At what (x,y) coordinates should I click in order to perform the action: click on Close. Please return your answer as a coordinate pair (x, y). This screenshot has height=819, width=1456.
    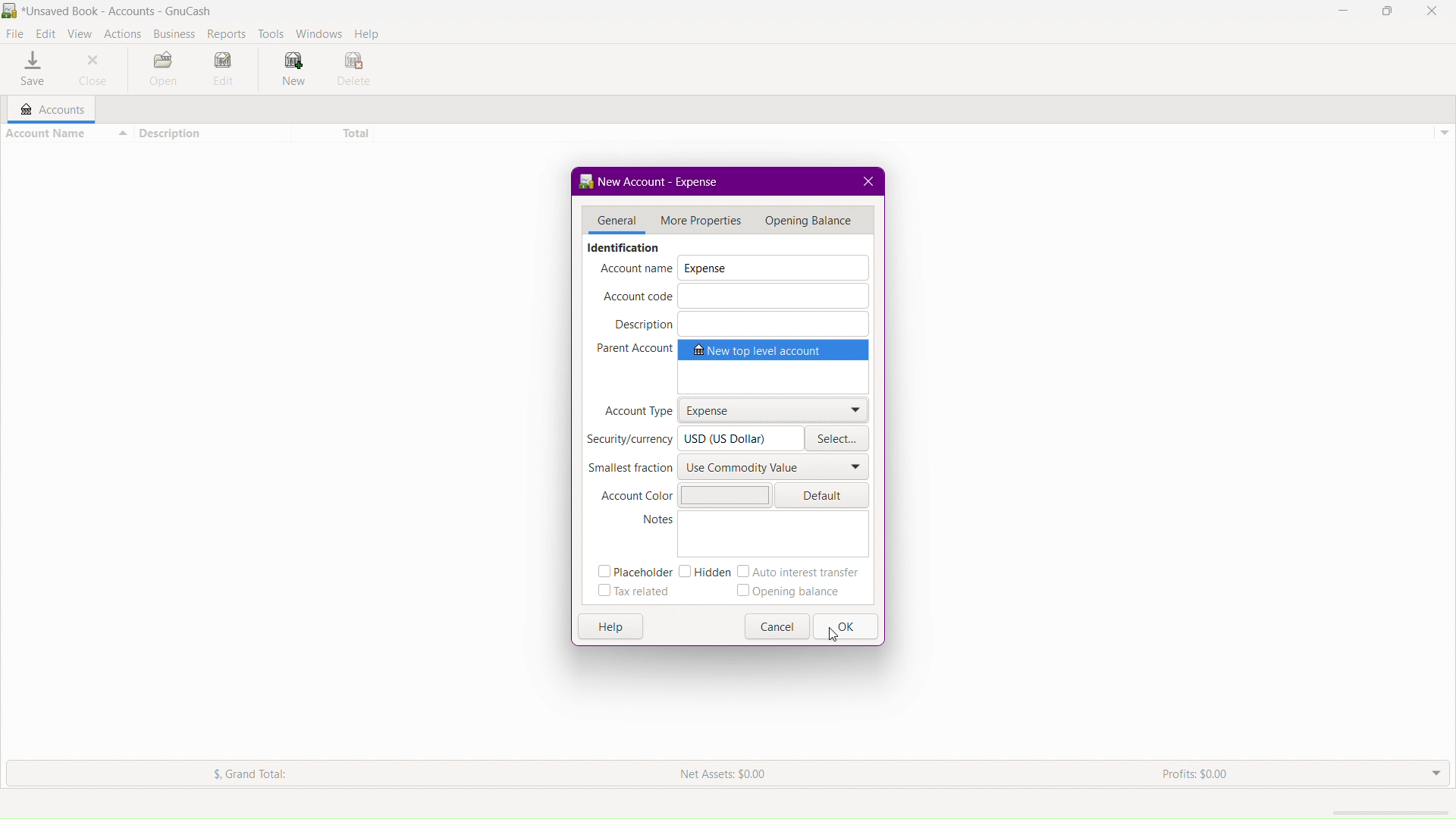
    Looking at the image, I should click on (101, 71).